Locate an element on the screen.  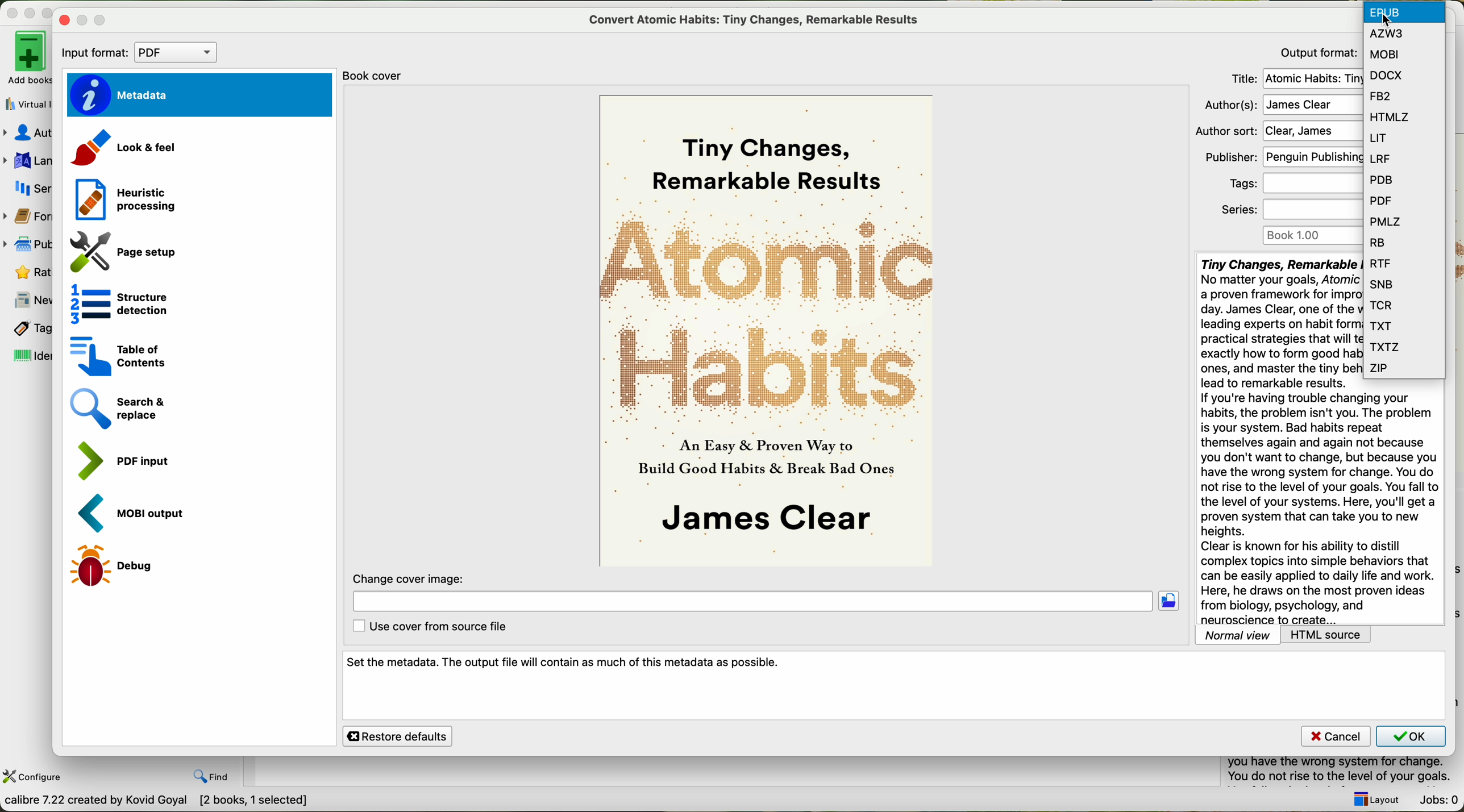
LRF is located at coordinates (1404, 159).